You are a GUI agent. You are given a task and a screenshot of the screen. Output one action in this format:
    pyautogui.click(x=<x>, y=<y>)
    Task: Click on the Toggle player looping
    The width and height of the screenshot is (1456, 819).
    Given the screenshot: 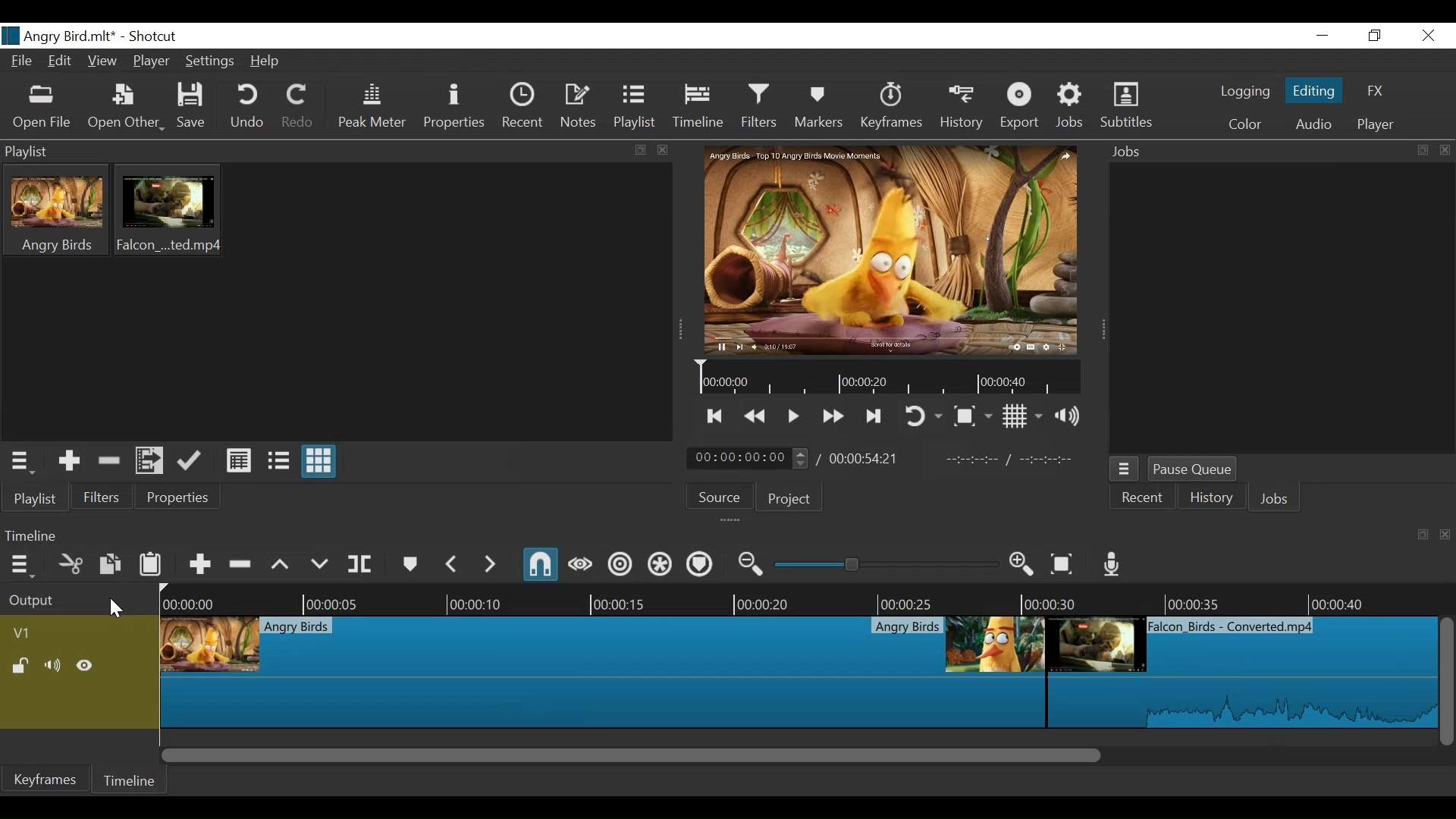 What is the action you would take?
    pyautogui.click(x=924, y=417)
    